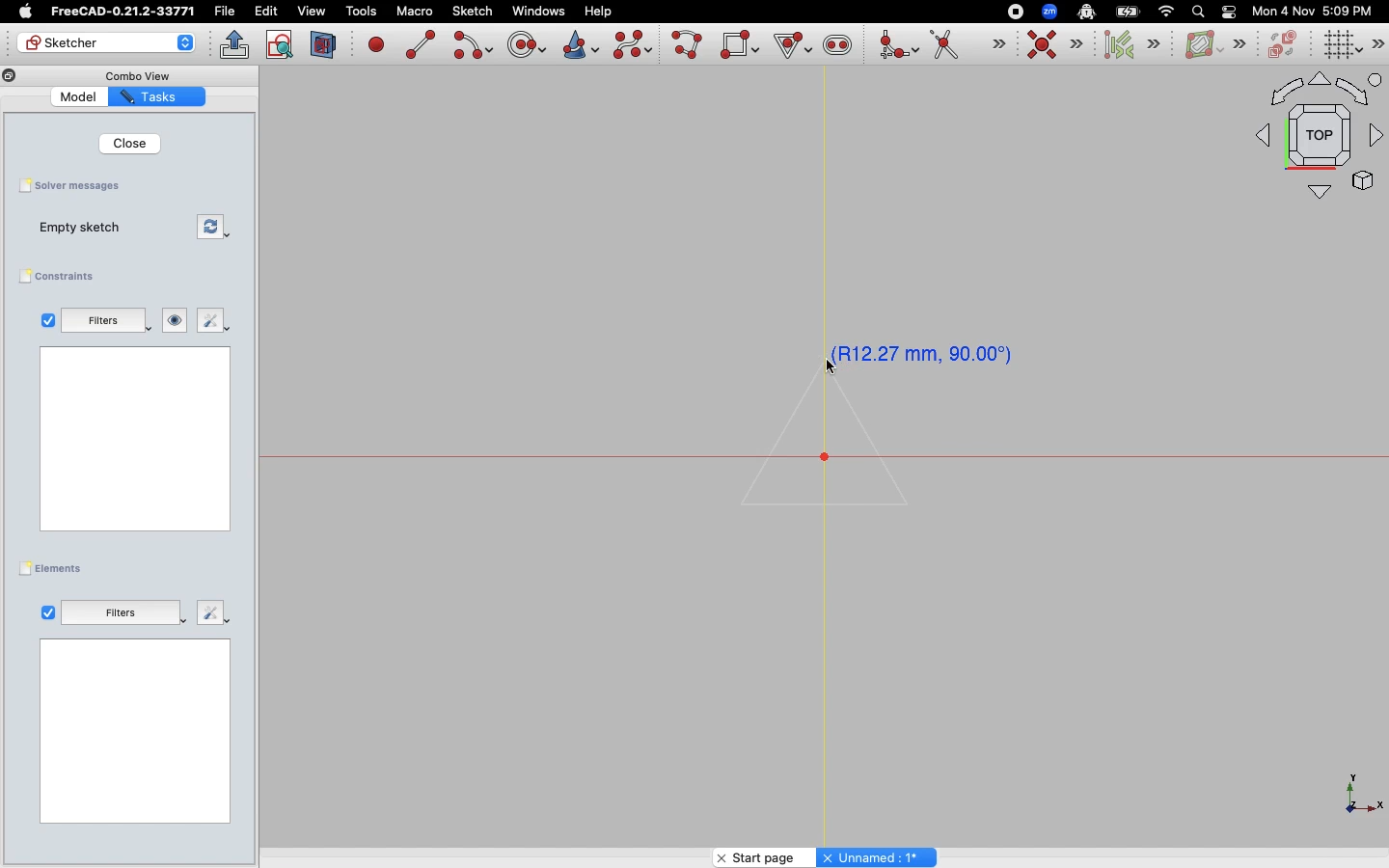  I want to click on View sketch, so click(281, 45).